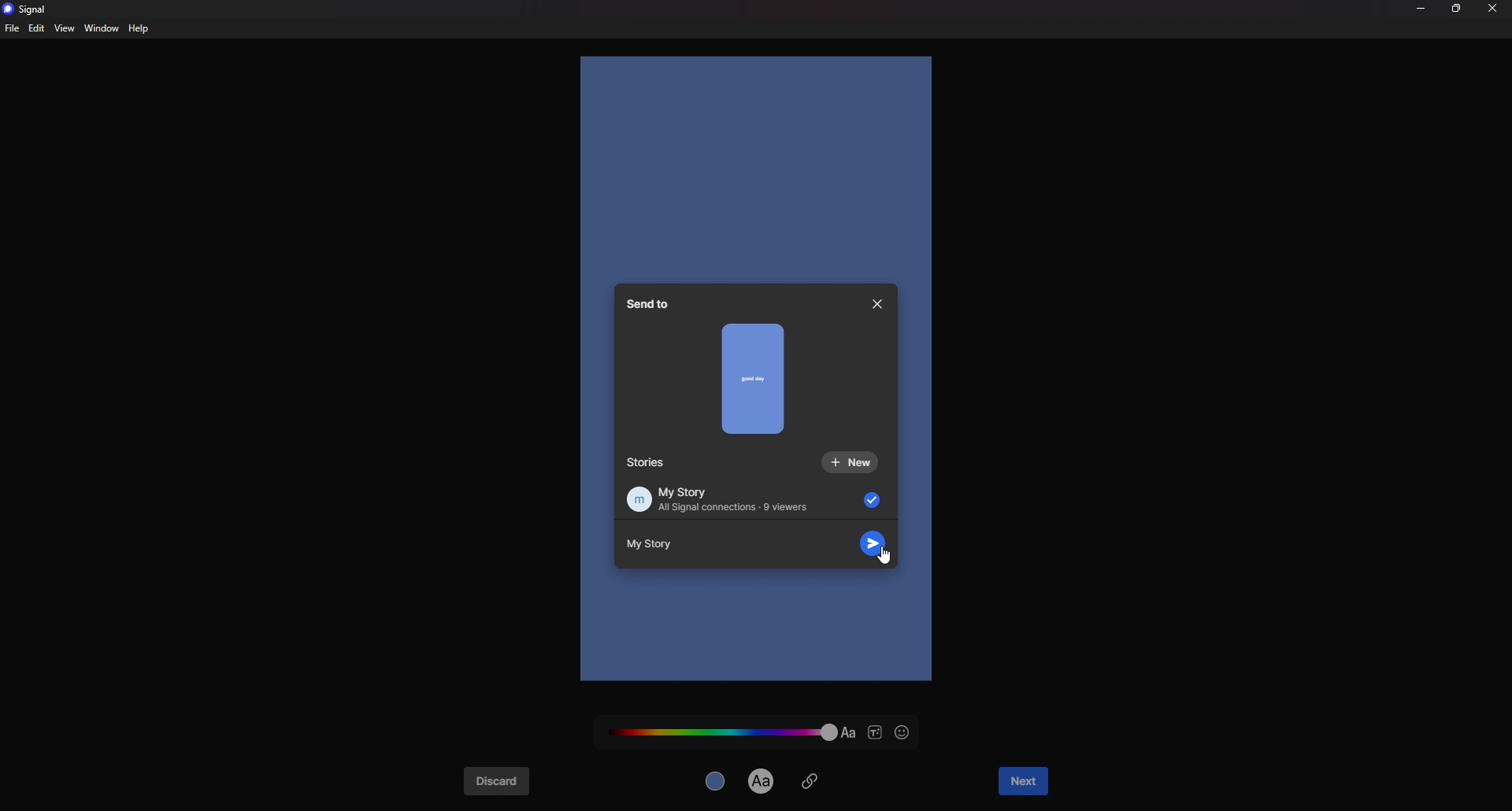  What do you see at coordinates (1458, 8) in the screenshot?
I see `resize` at bounding box center [1458, 8].